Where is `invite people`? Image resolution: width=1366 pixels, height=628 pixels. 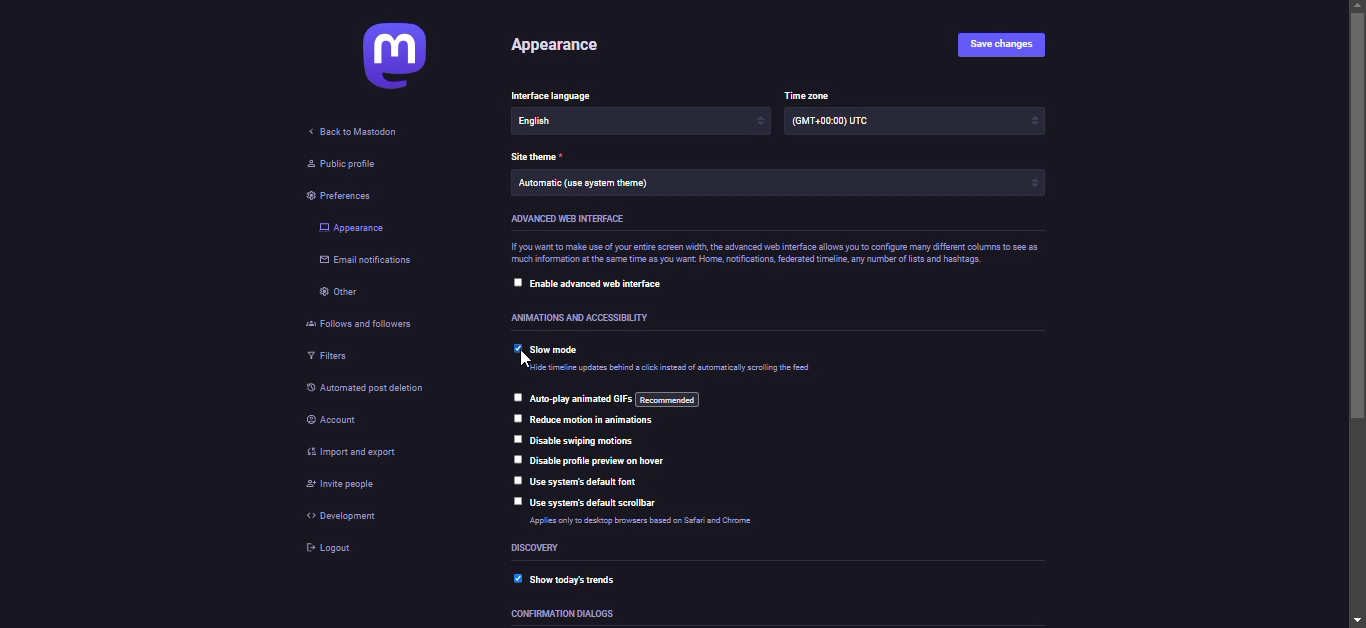 invite people is located at coordinates (345, 487).